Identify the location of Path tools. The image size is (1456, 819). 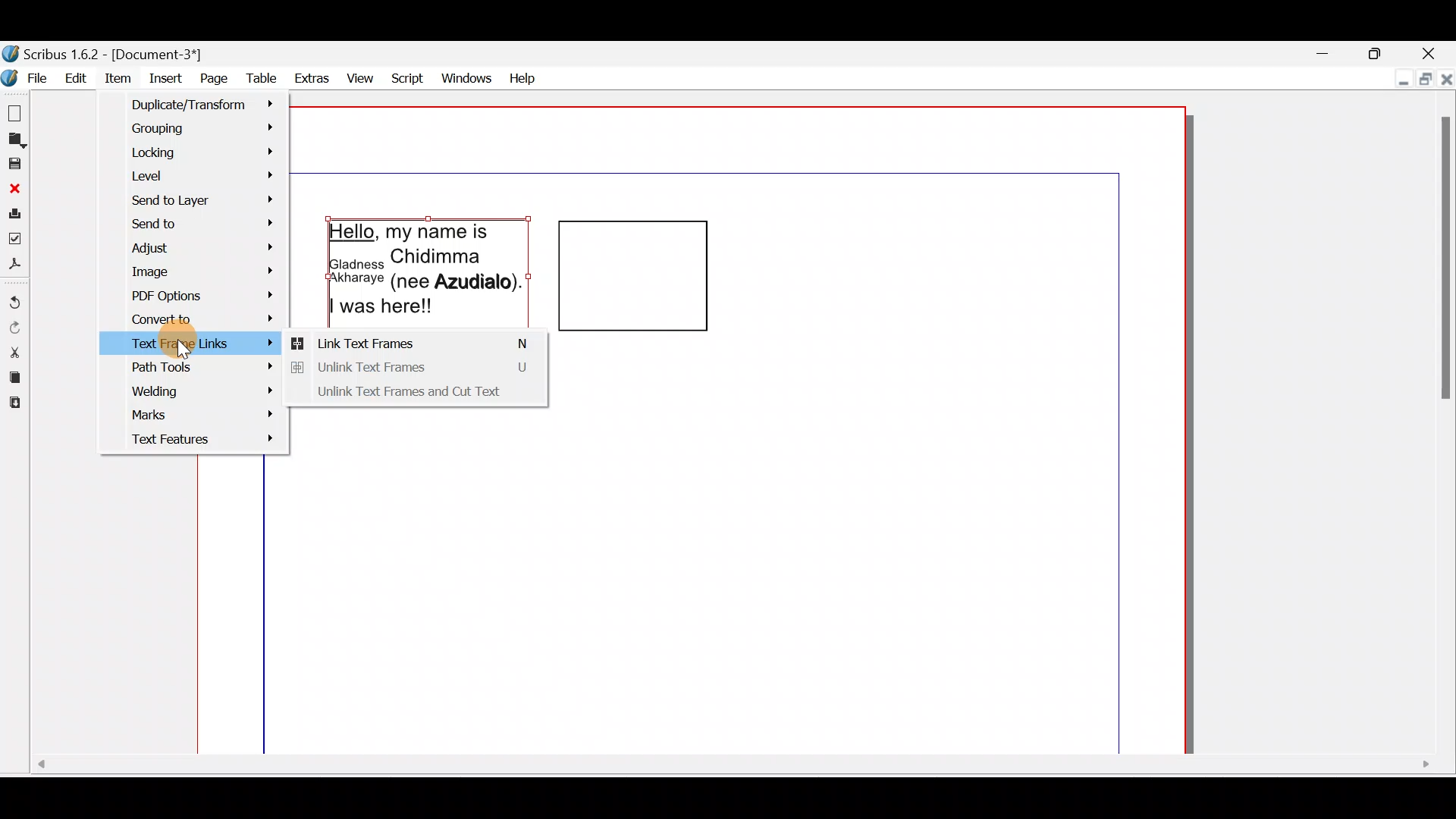
(196, 366).